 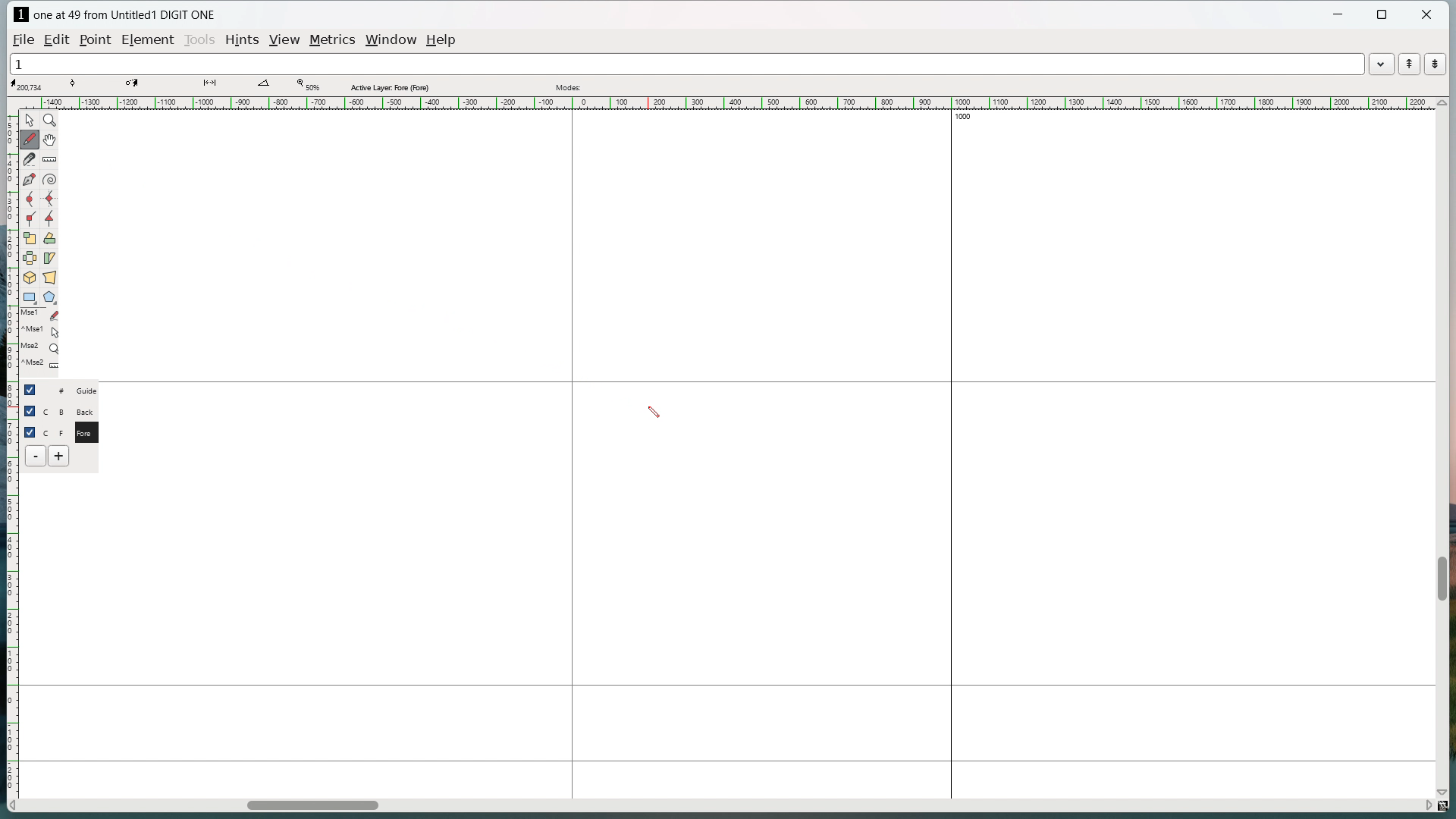 What do you see at coordinates (36, 456) in the screenshot?
I see `delete layer` at bounding box center [36, 456].